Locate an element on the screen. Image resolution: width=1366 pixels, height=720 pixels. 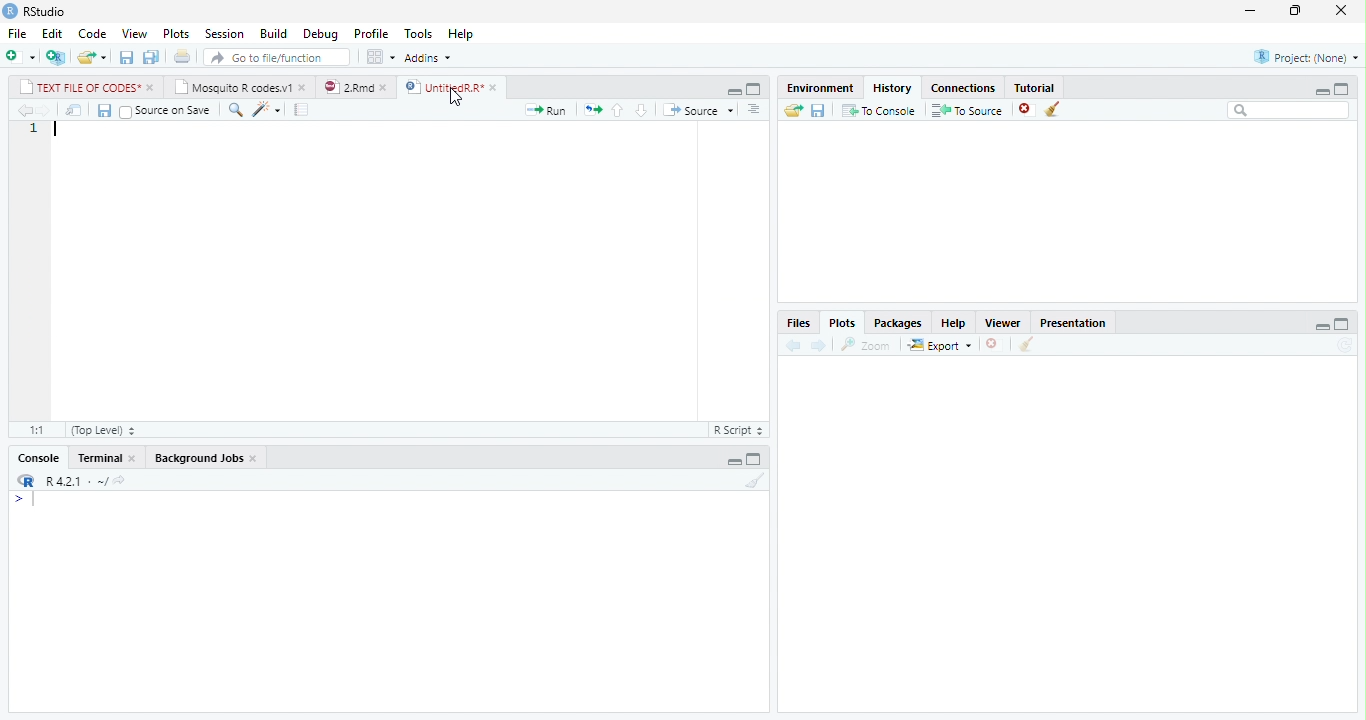
UntitledR.R is located at coordinates (443, 86).